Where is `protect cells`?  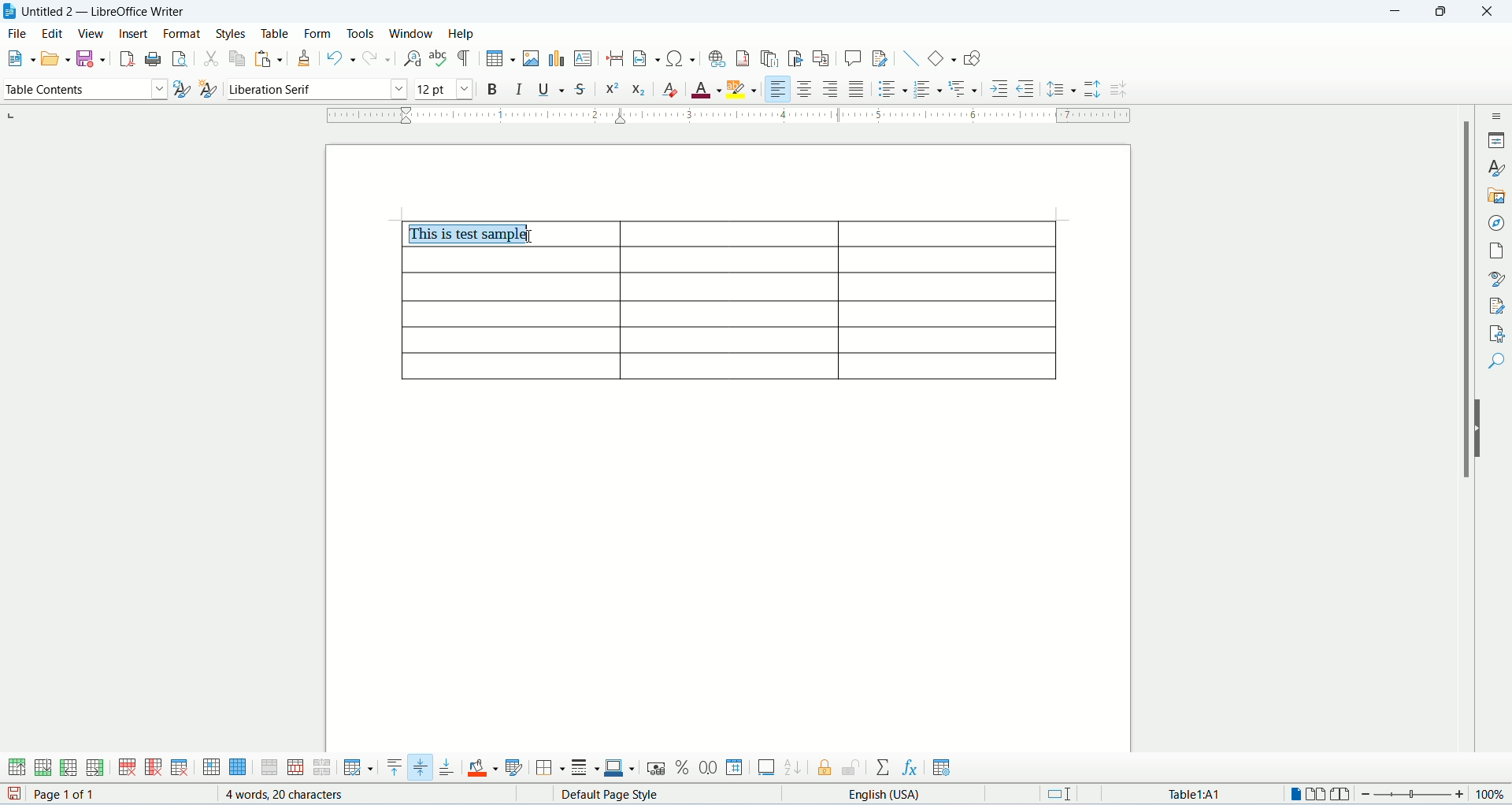
protect cells is located at coordinates (828, 769).